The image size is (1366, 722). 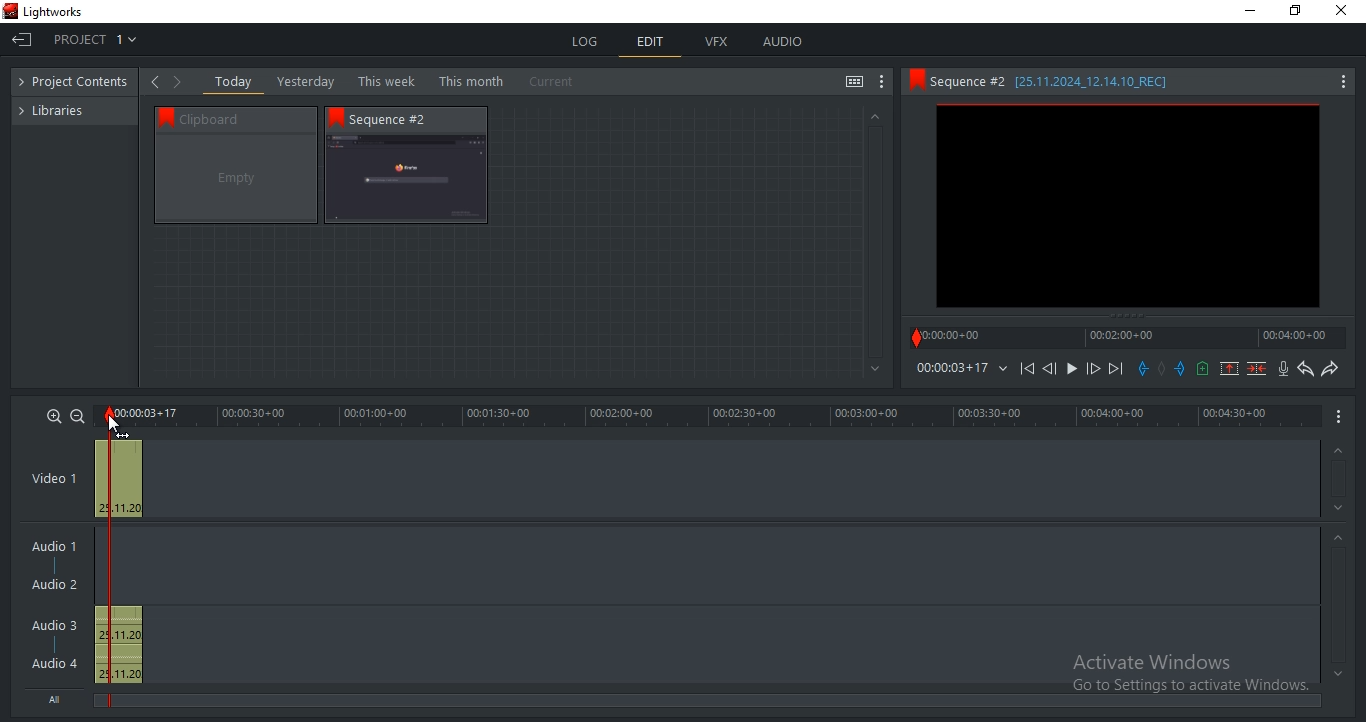 What do you see at coordinates (59, 697) in the screenshot?
I see `All` at bounding box center [59, 697].